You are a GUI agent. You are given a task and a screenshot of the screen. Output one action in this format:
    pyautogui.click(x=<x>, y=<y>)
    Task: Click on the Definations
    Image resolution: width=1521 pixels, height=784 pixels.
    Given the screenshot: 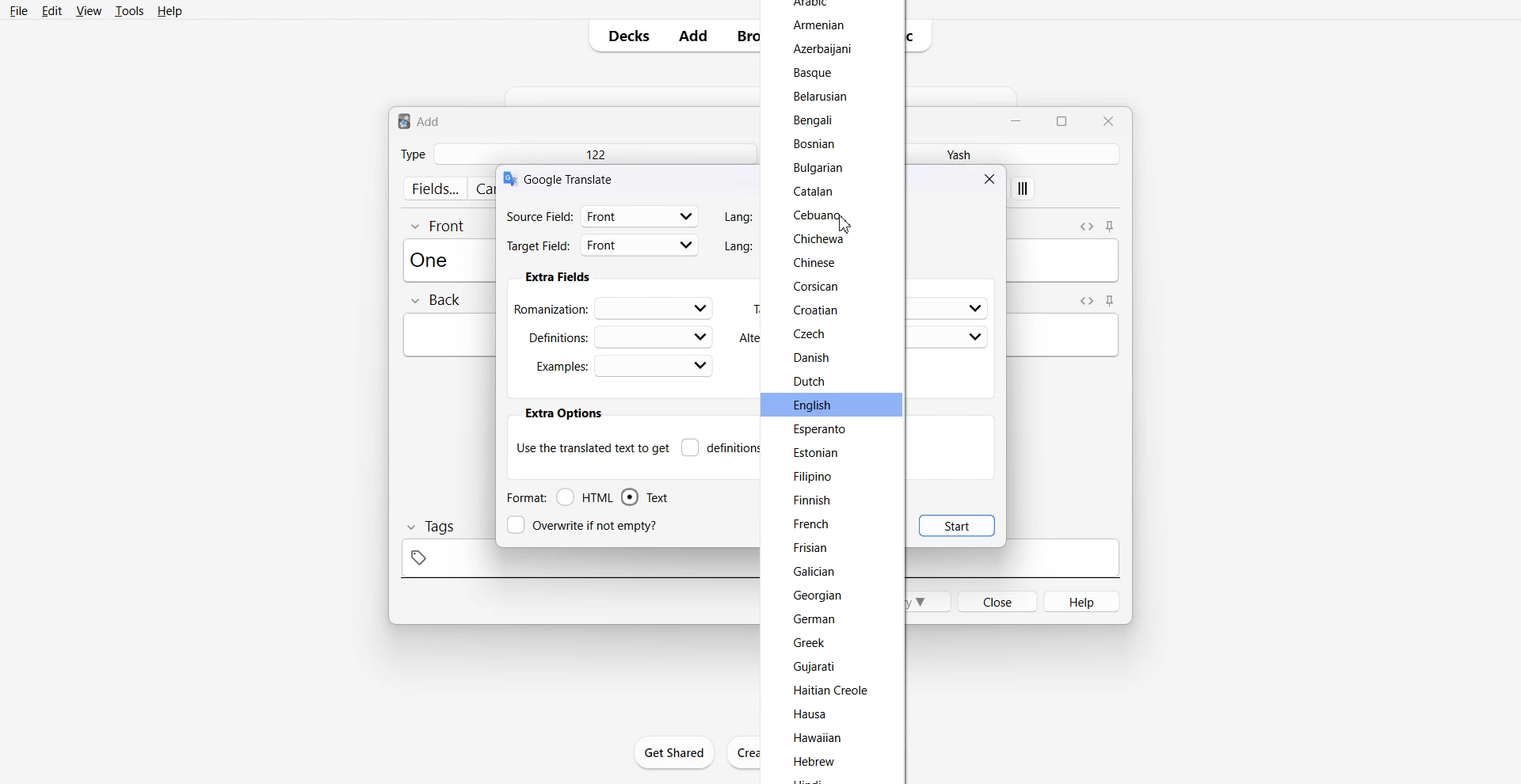 What is the action you would take?
    pyautogui.click(x=618, y=336)
    